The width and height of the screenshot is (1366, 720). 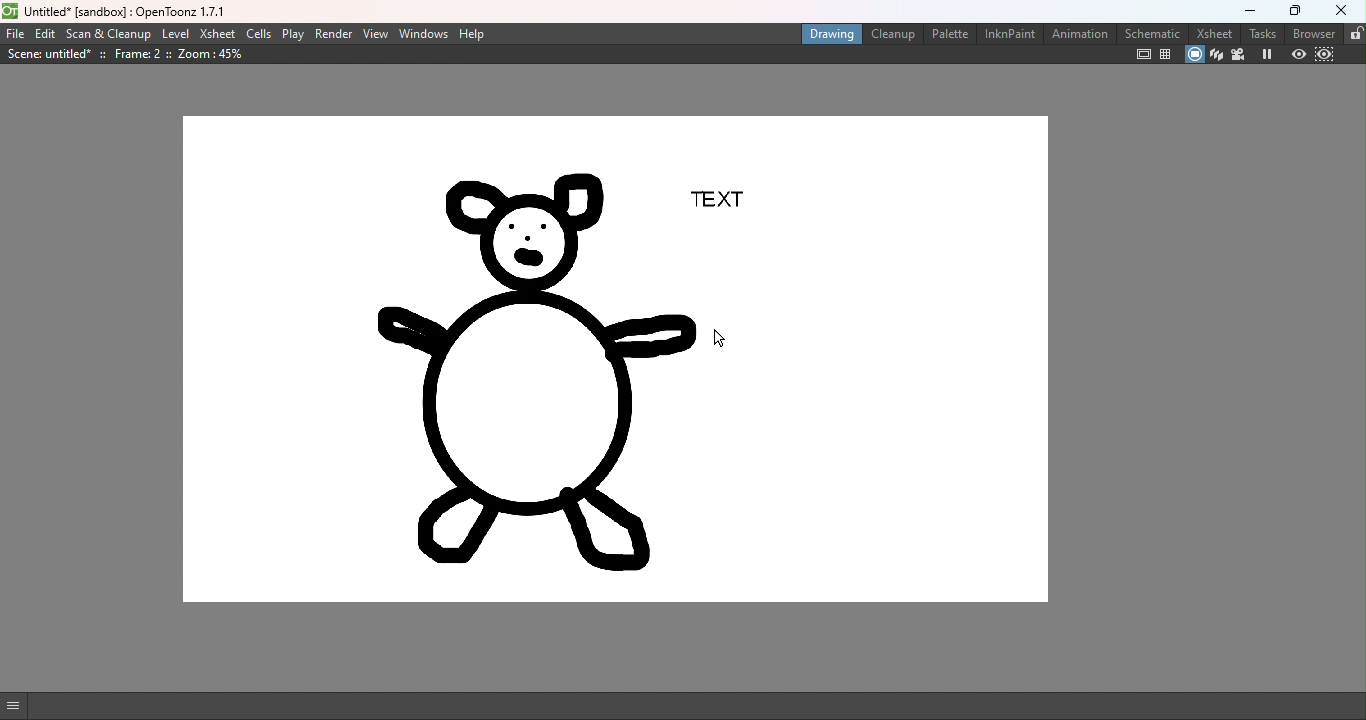 What do you see at coordinates (1008, 34) in the screenshot?
I see `InknPaint` at bounding box center [1008, 34].